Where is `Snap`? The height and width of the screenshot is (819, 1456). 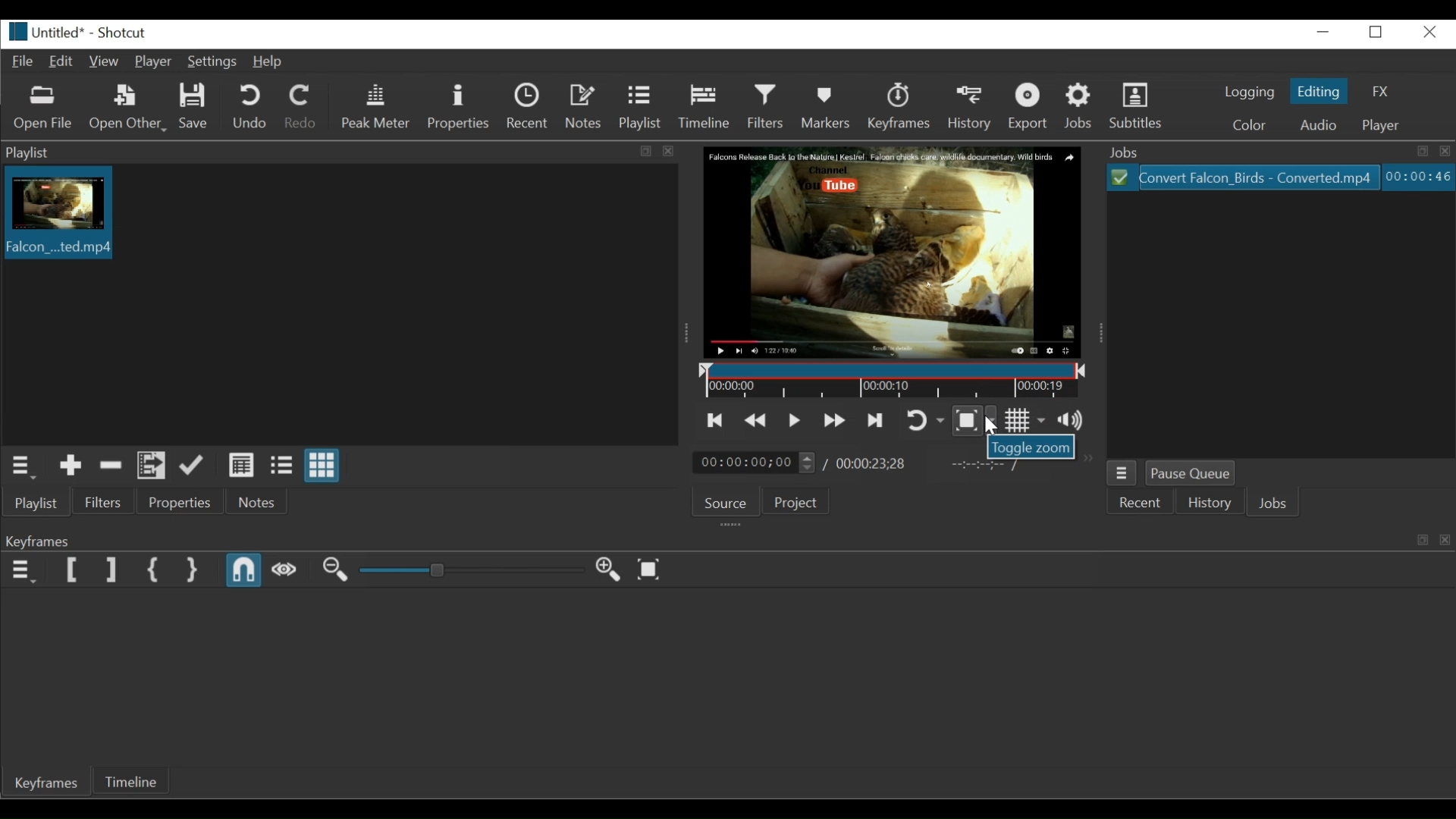
Snap is located at coordinates (244, 570).